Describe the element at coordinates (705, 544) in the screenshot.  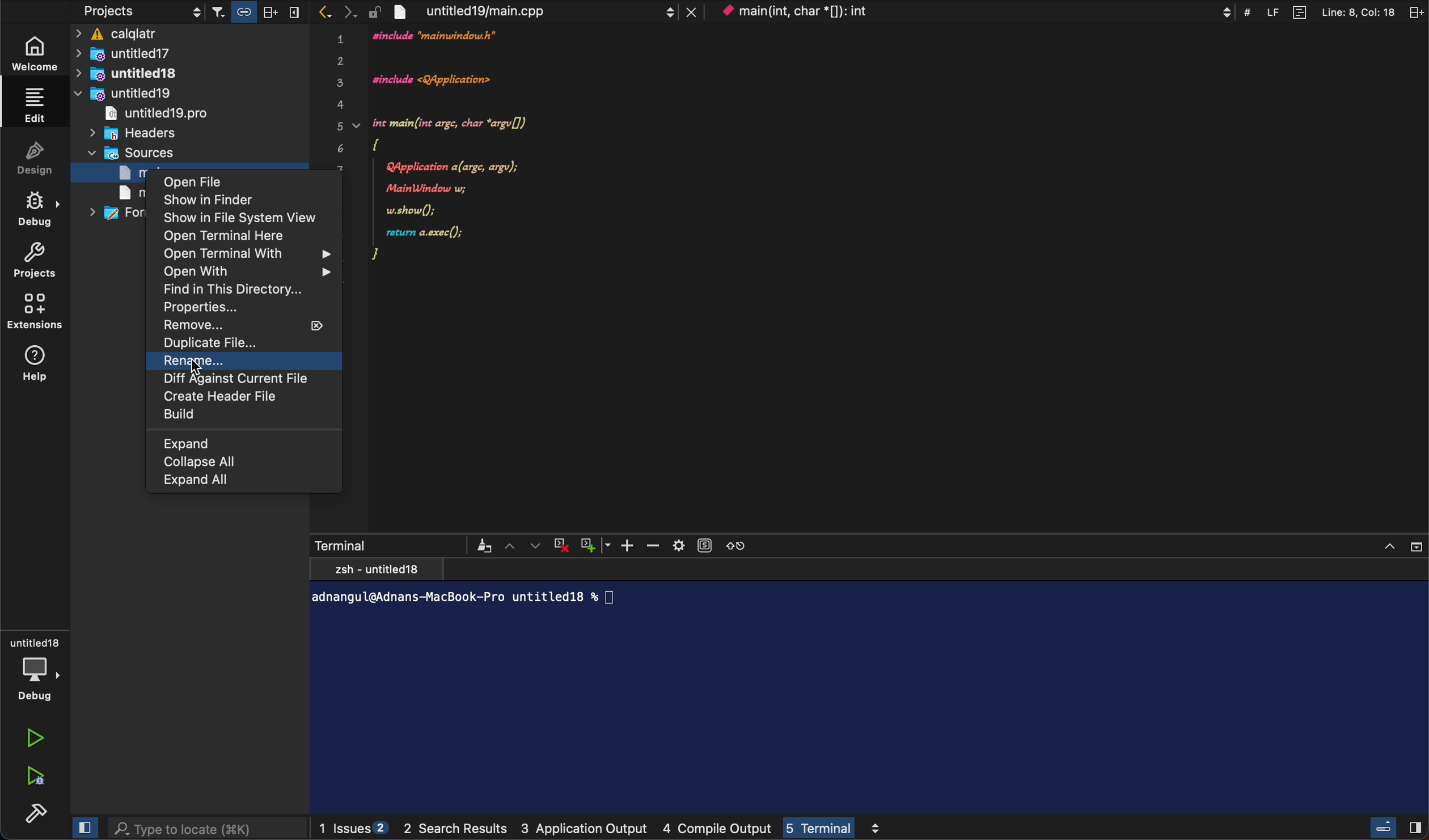
I see `Subtitles` at that location.